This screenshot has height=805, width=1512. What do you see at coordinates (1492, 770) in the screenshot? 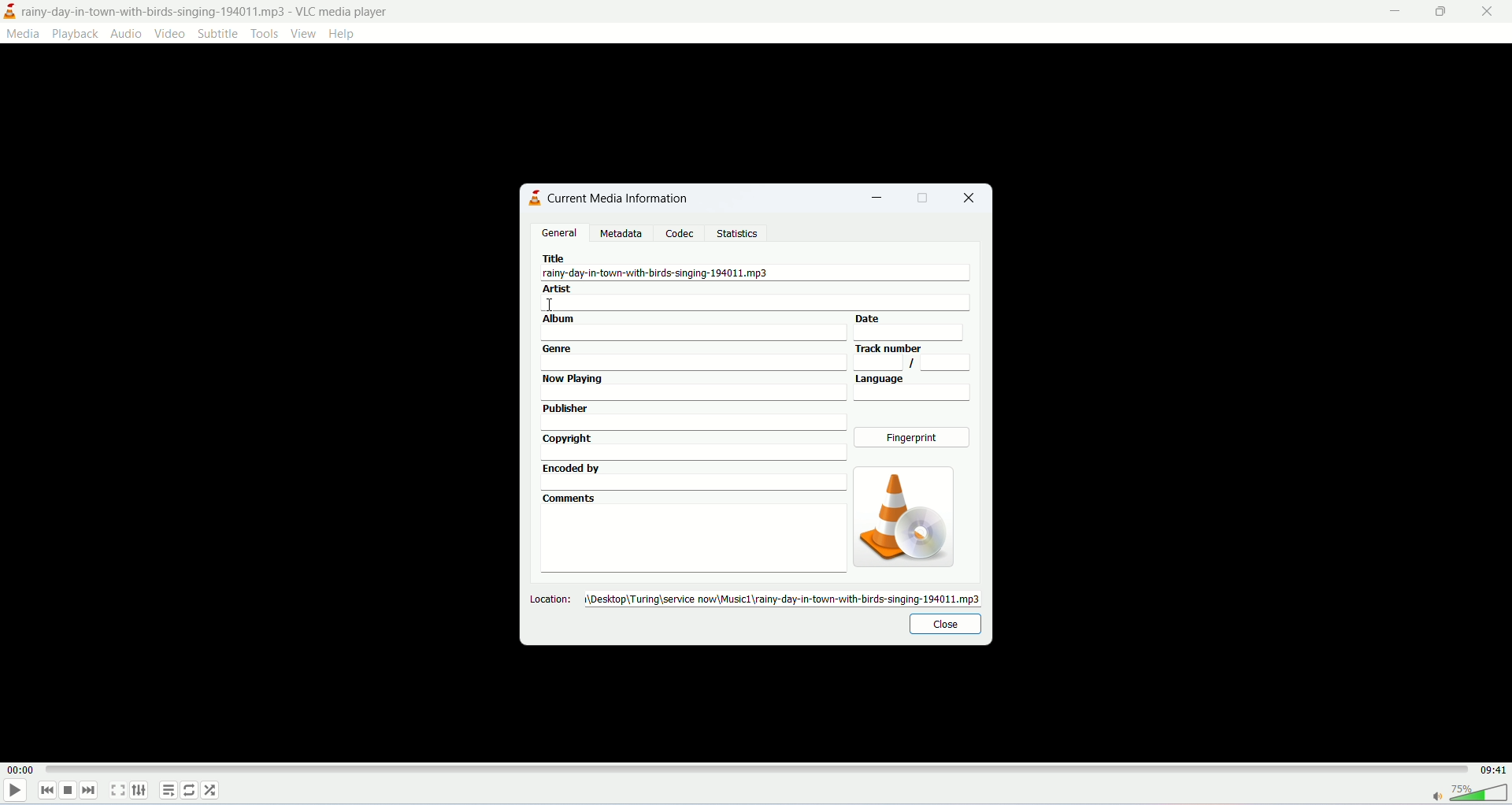
I see `total time` at bounding box center [1492, 770].